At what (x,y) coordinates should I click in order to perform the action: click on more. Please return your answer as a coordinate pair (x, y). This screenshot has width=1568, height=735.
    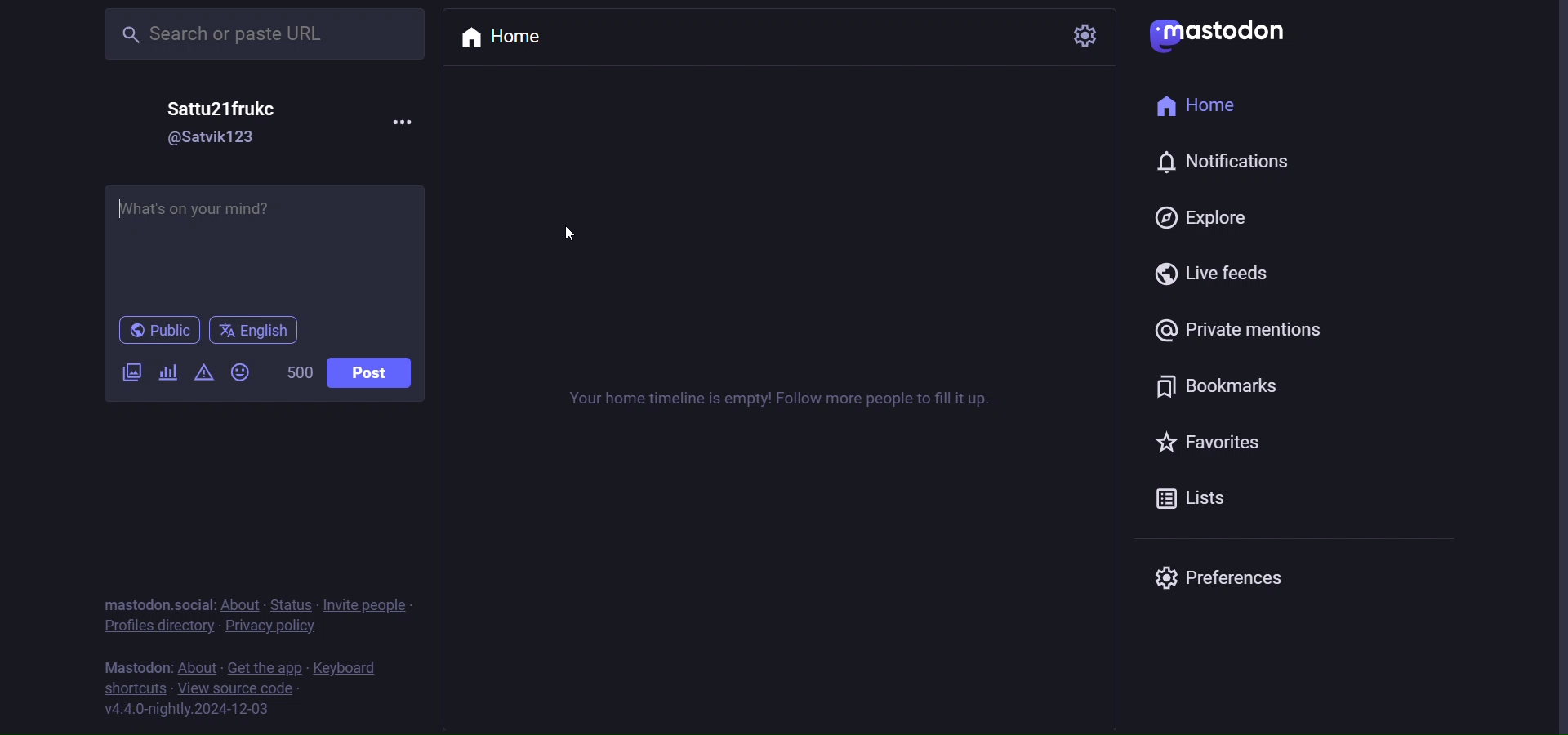
    Looking at the image, I should click on (412, 122).